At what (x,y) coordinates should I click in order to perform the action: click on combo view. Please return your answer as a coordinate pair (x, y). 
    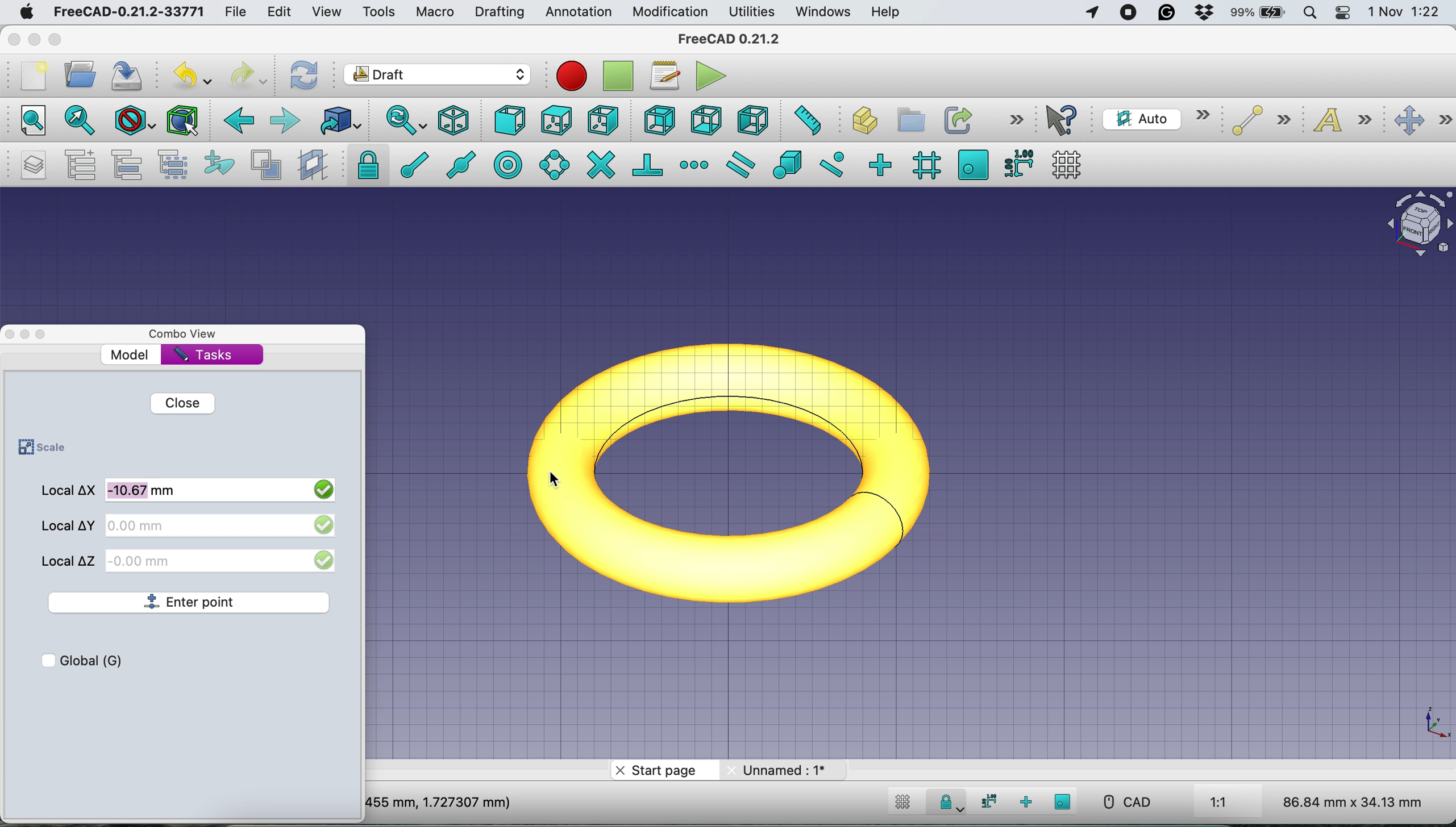
    Looking at the image, I should click on (190, 335).